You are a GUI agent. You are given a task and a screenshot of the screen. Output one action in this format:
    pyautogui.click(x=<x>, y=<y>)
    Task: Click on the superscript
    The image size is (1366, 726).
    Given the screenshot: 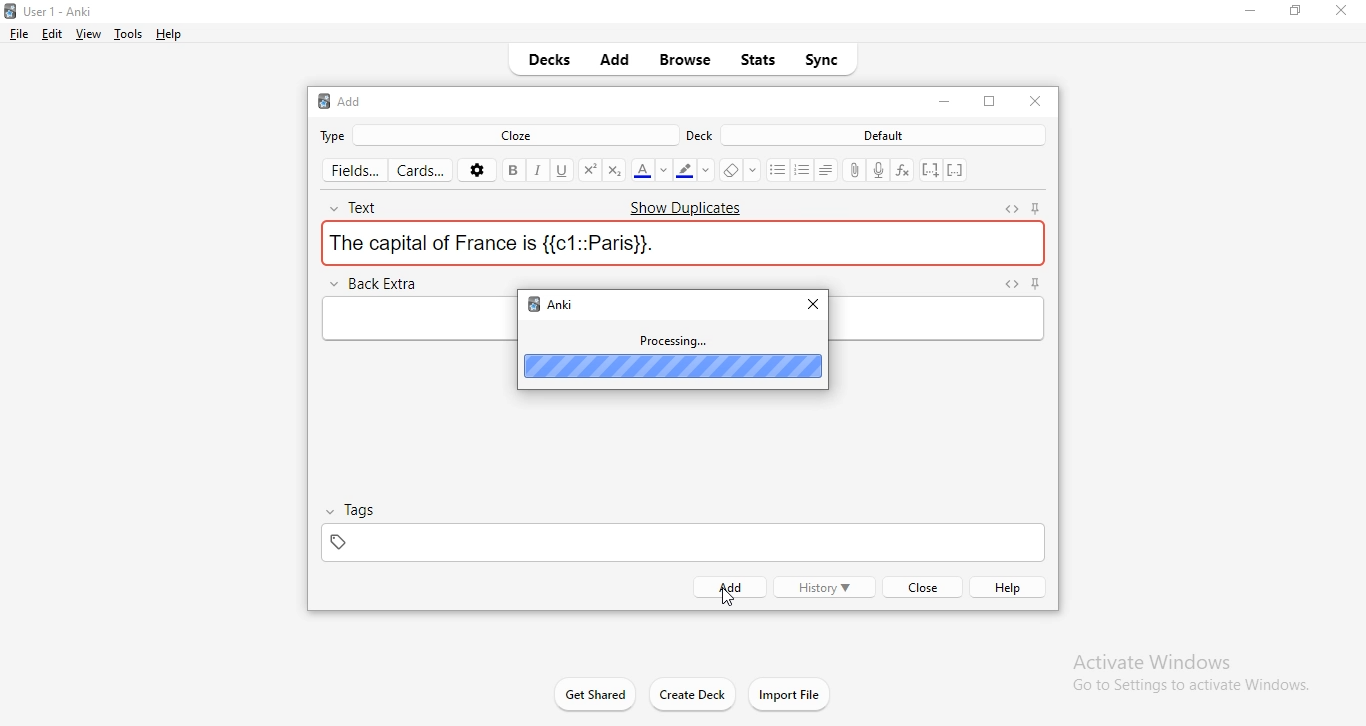 What is the action you would take?
    pyautogui.click(x=590, y=169)
    